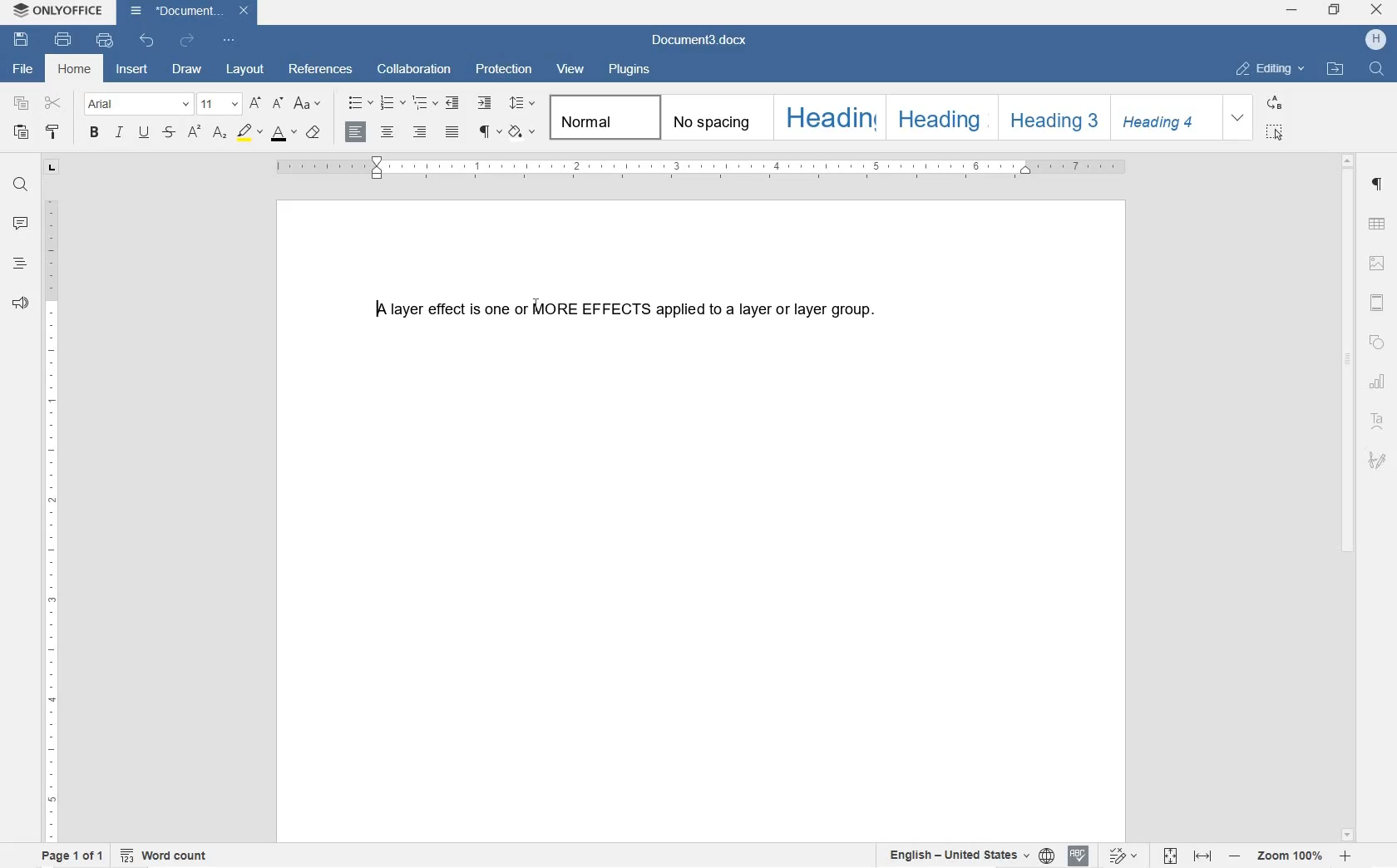  Describe the element at coordinates (1294, 11) in the screenshot. I see `MINIMIZE` at that location.